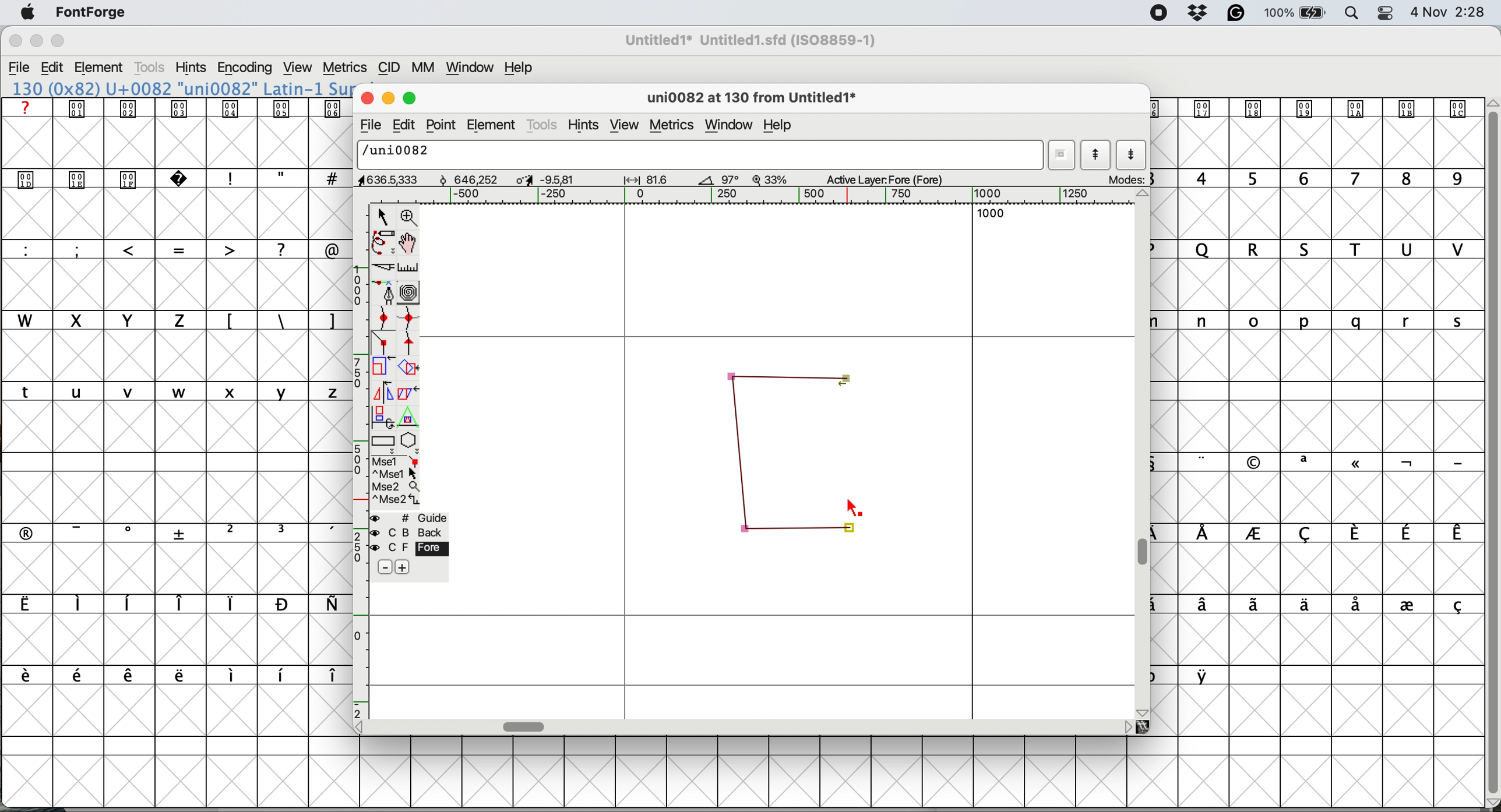 The image size is (1501, 812). I want to click on uppercase letters, so click(103, 320).